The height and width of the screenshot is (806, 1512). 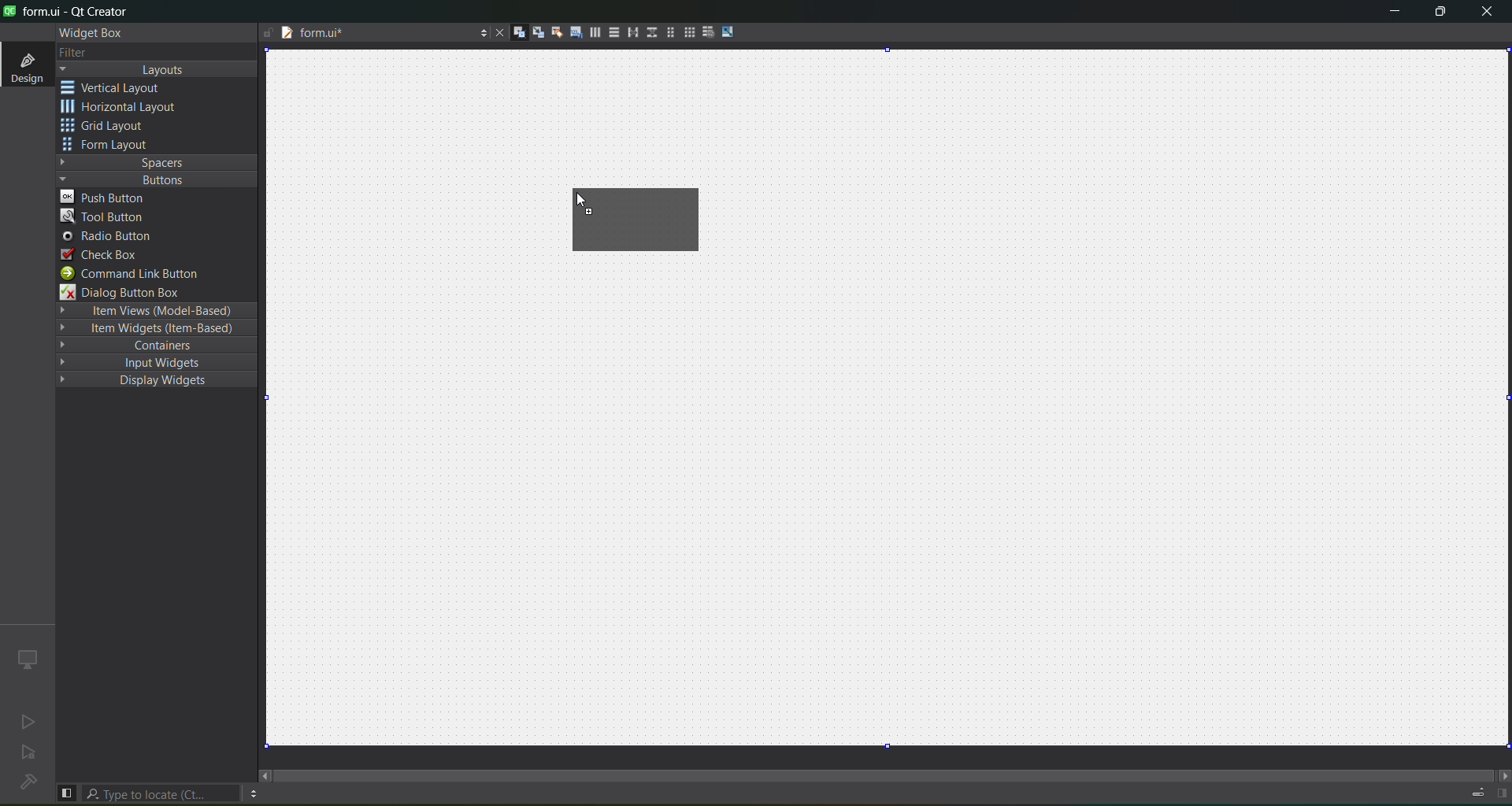 I want to click on item views, so click(x=154, y=310).